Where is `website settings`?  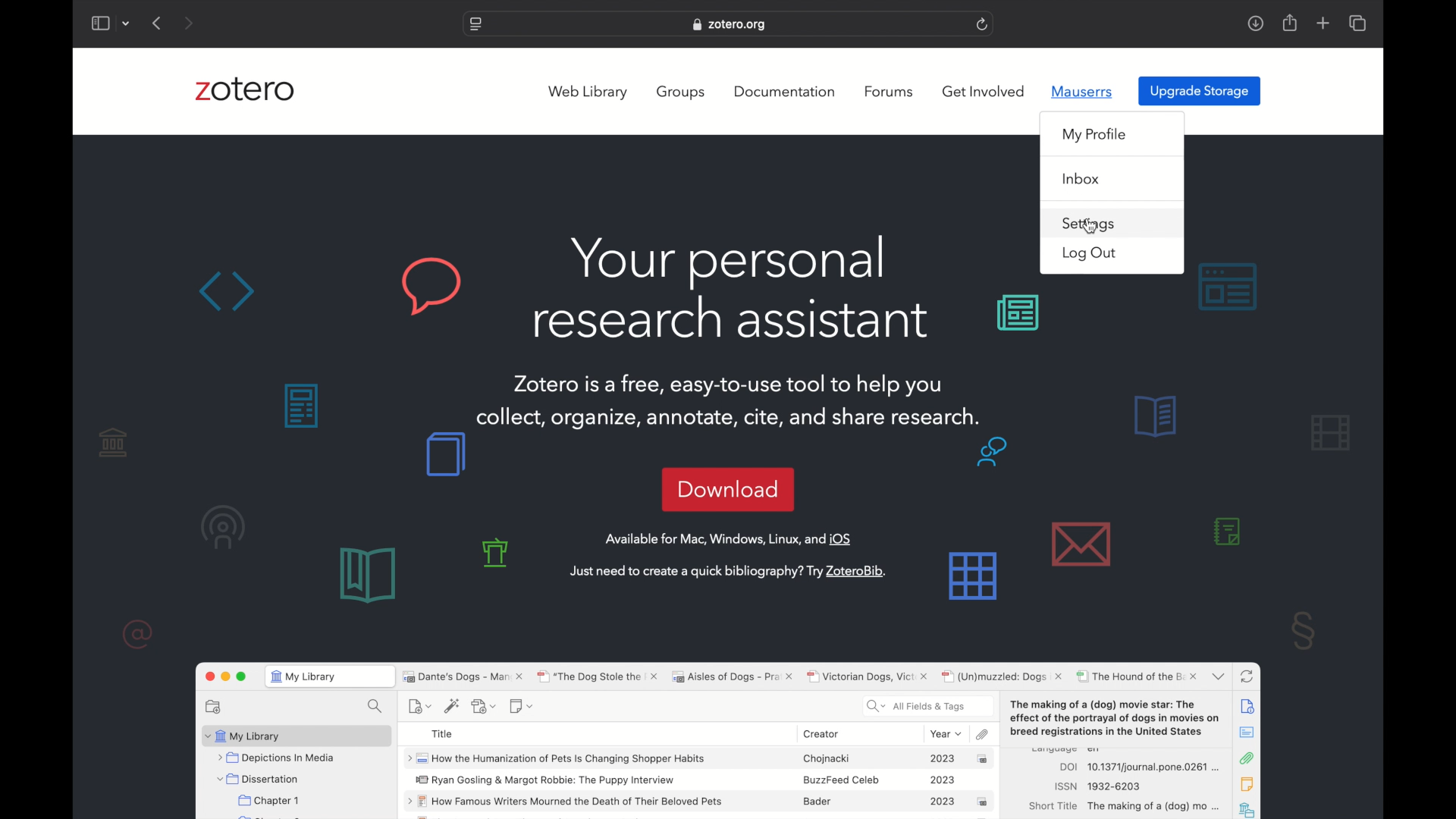
website settings is located at coordinates (475, 24).